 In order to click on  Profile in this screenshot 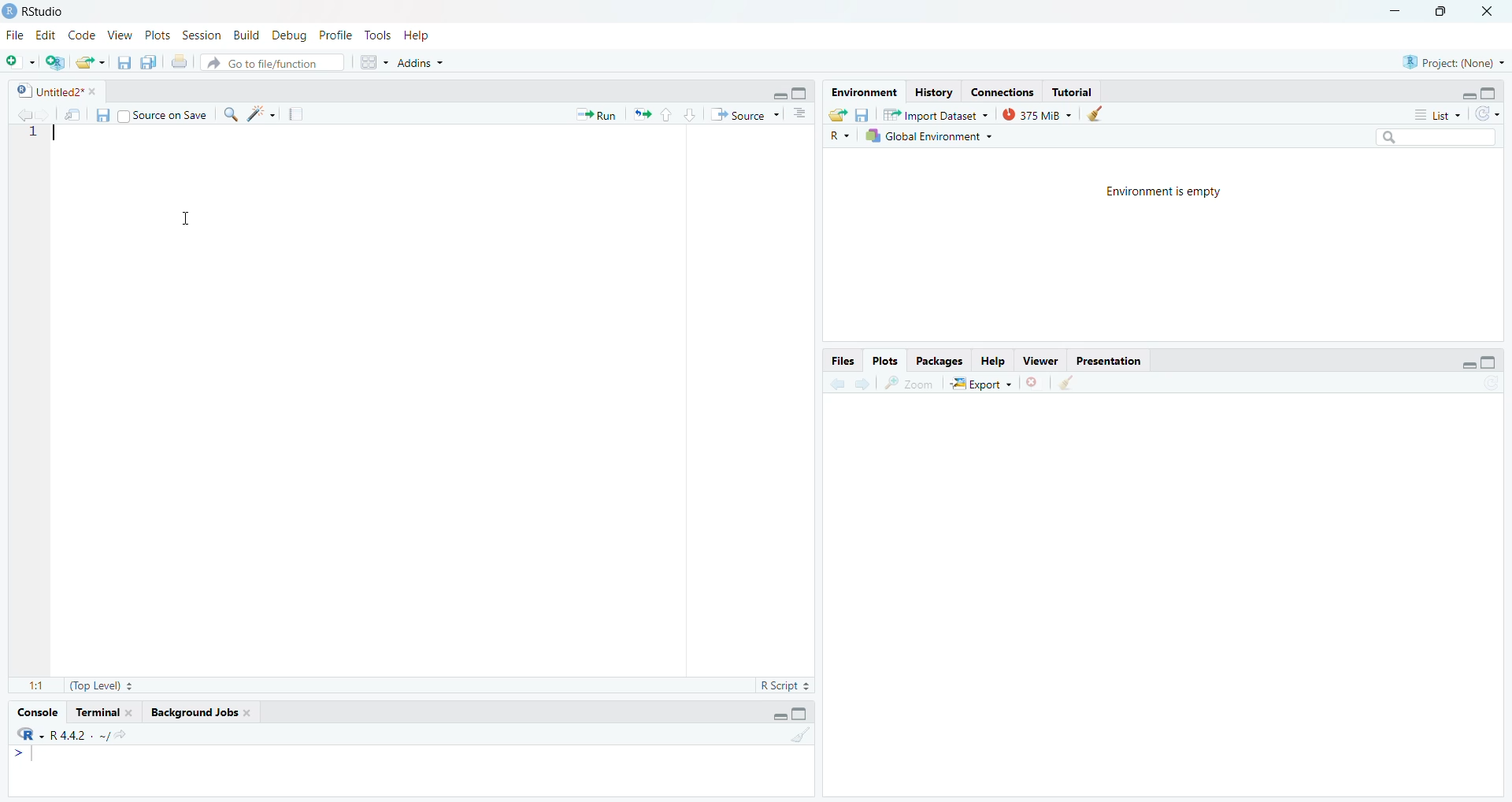, I will do `click(335, 35)`.